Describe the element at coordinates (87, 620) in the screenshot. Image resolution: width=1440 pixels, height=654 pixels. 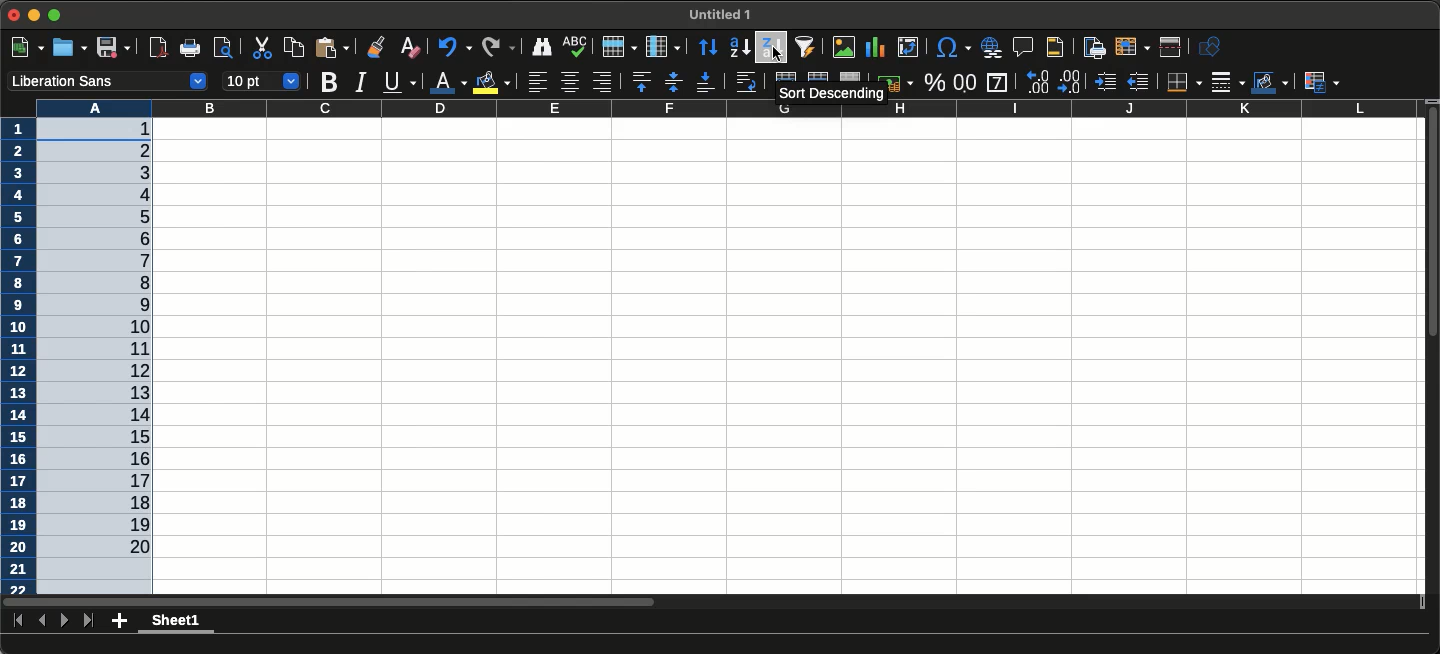
I see `Last sheet` at that location.